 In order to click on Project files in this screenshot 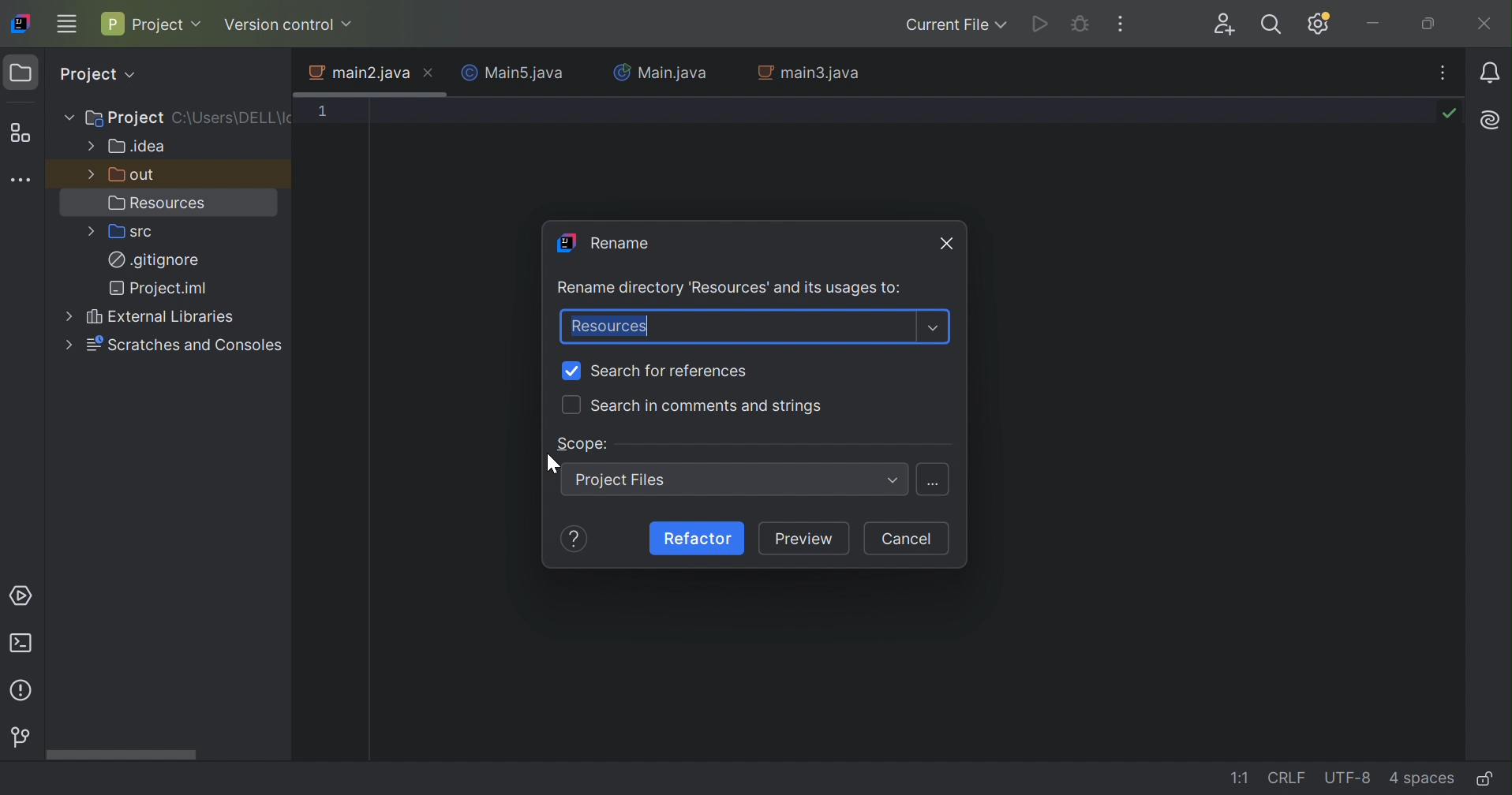, I will do `click(625, 482)`.